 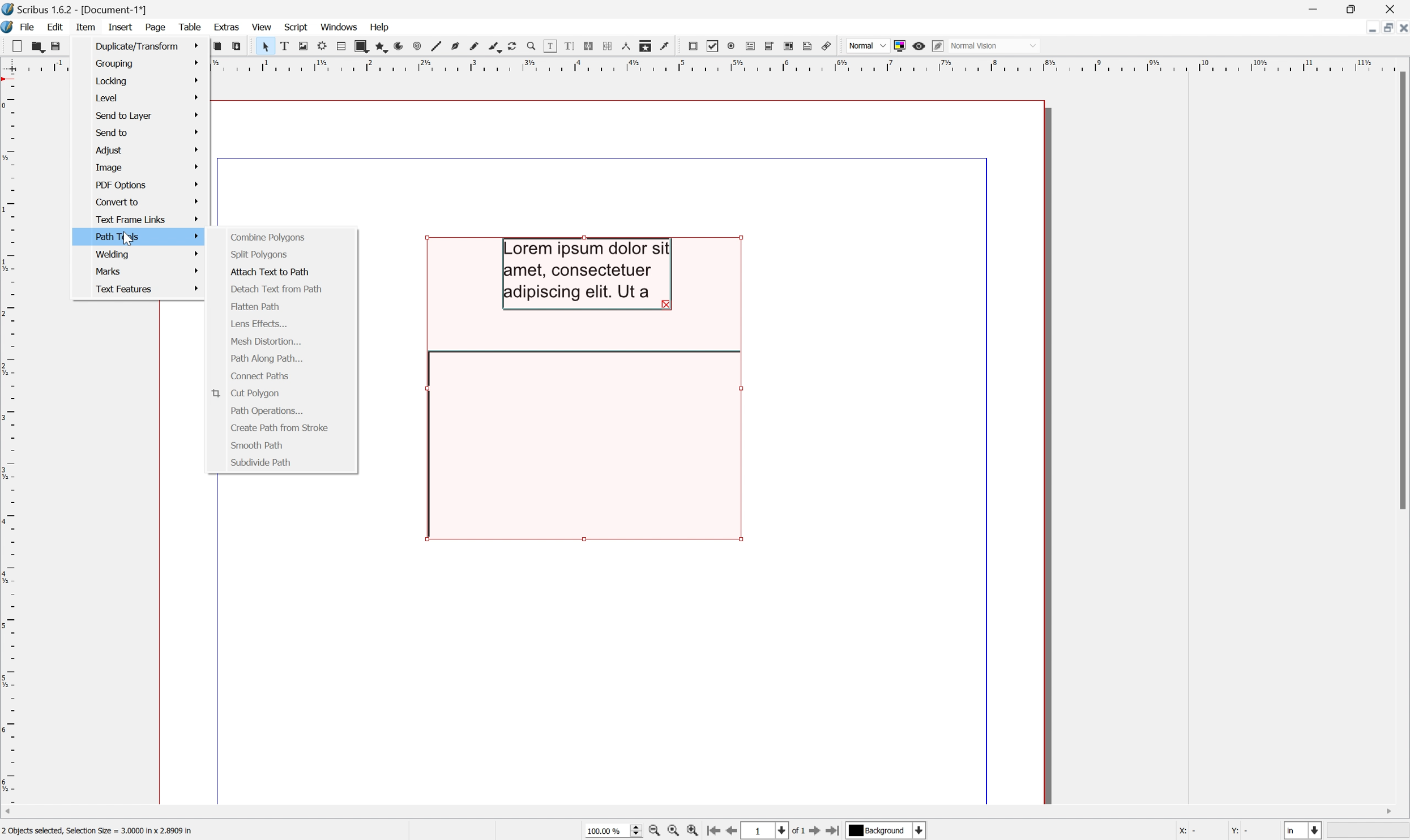 What do you see at coordinates (243, 393) in the screenshot?
I see `Cut polygons` at bounding box center [243, 393].